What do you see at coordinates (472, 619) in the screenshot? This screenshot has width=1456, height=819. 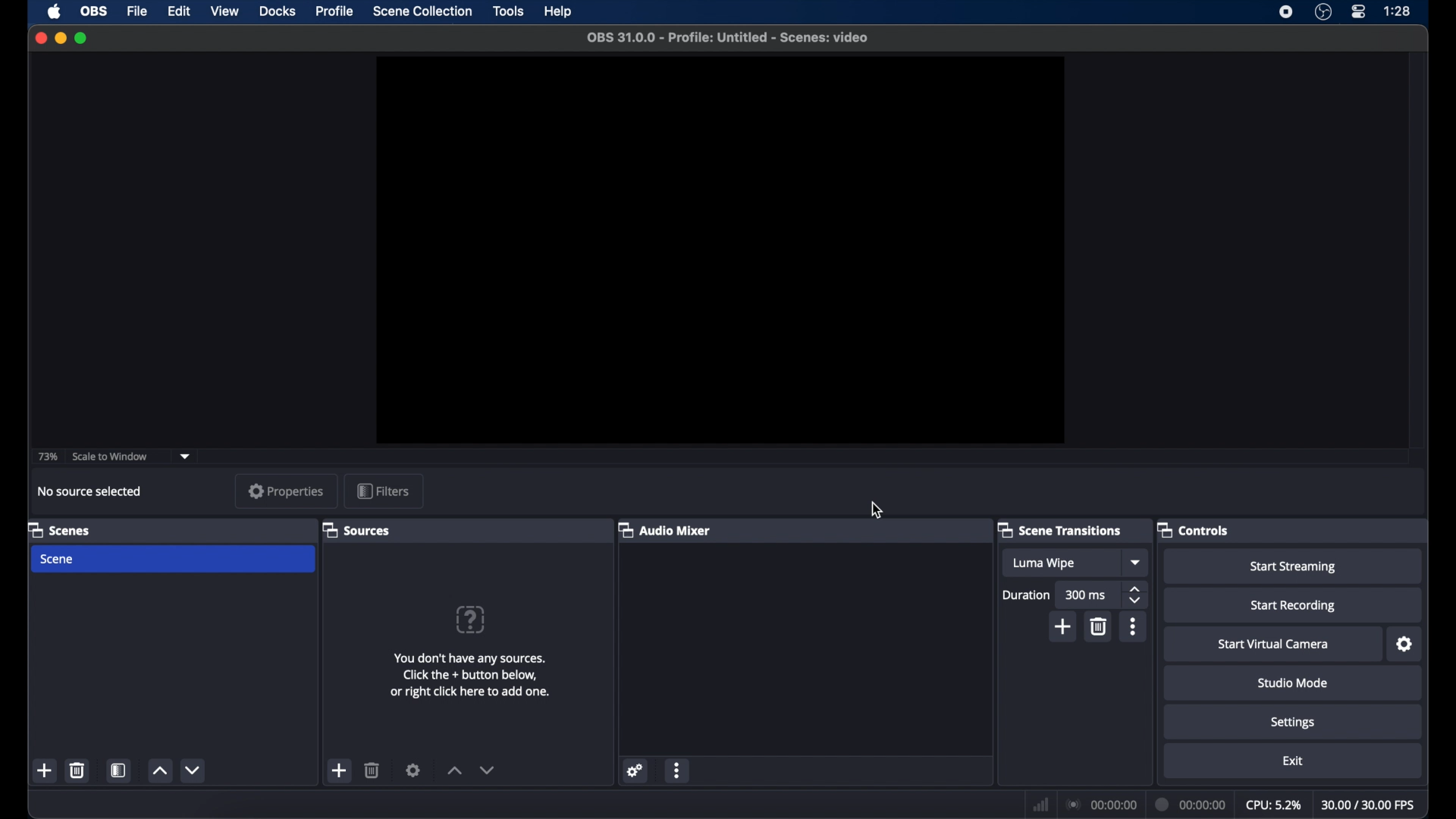 I see `help` at bounding box center [472, 619].